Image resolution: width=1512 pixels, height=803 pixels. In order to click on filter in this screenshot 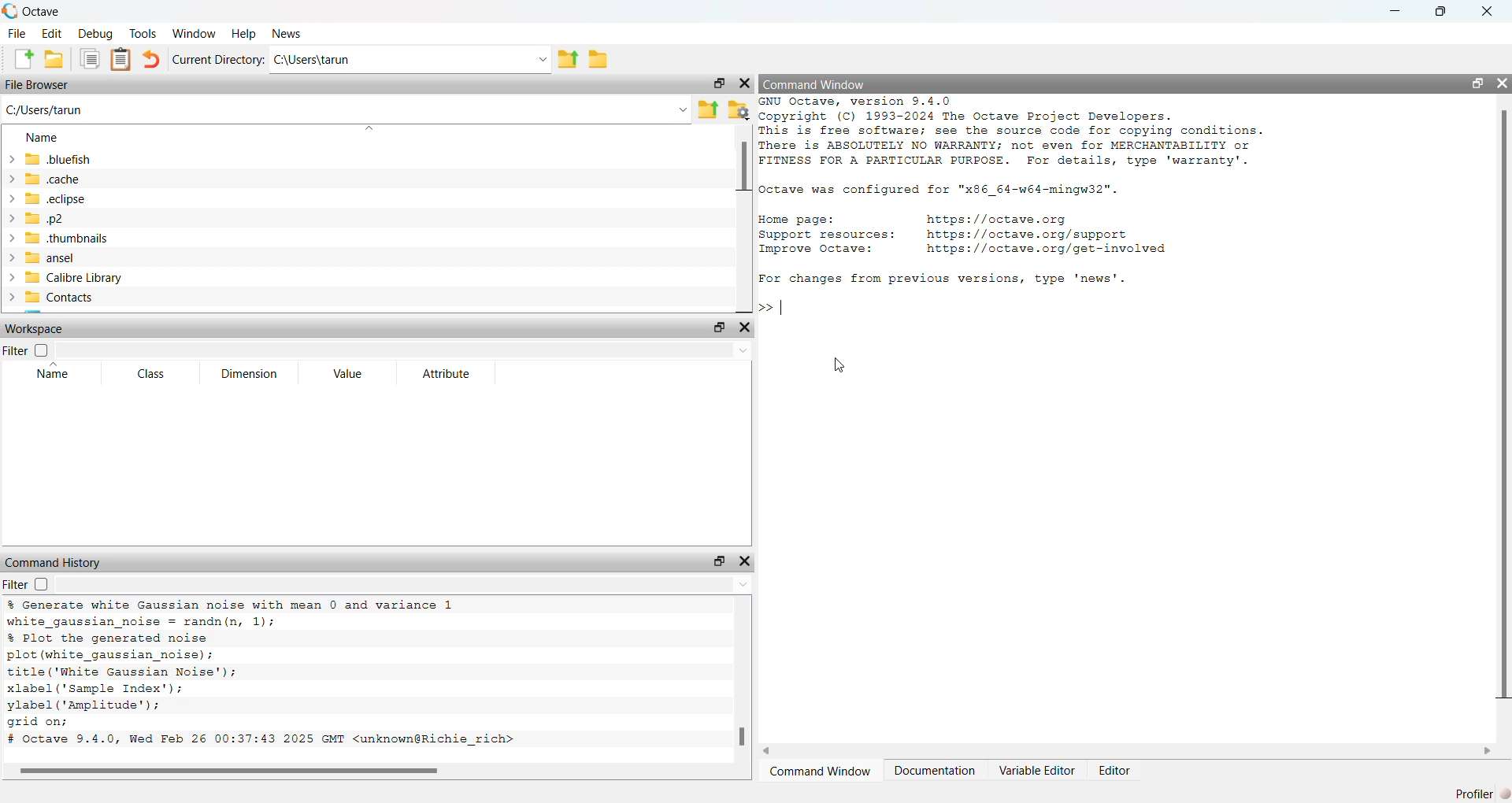, I will do `click(15, 583)`.